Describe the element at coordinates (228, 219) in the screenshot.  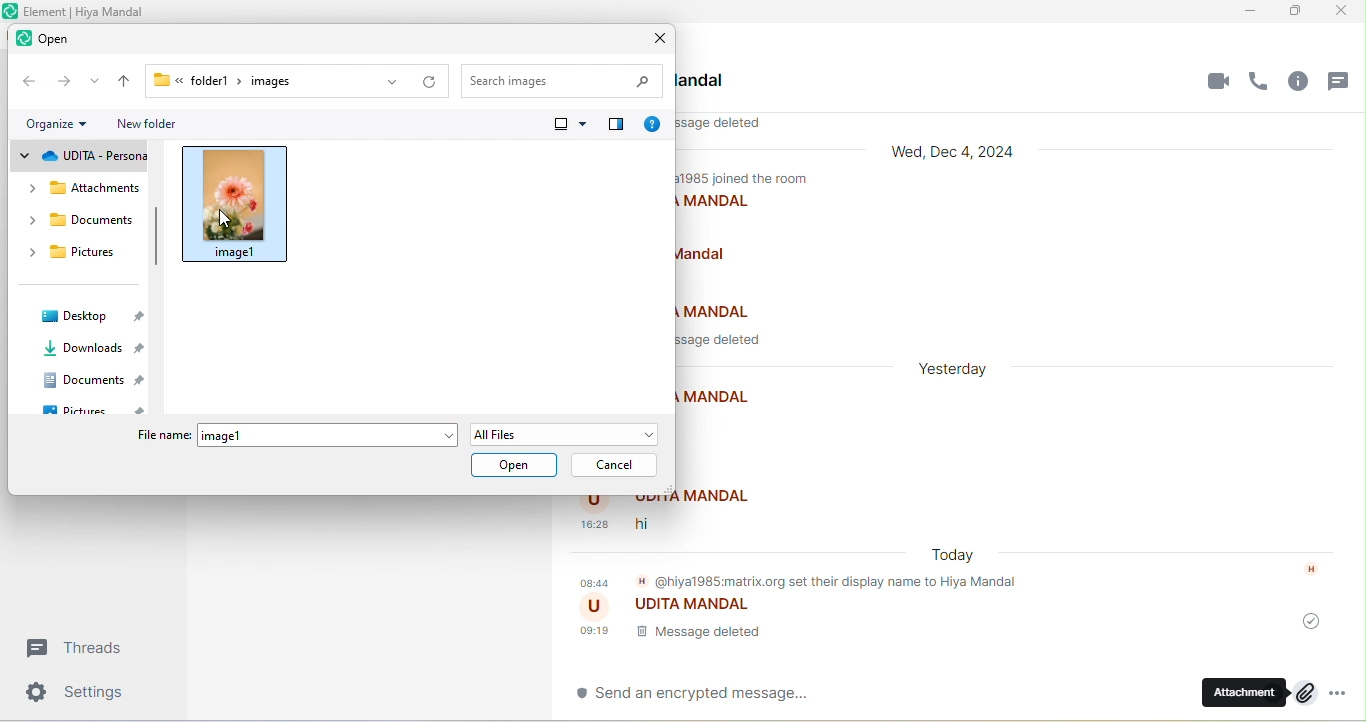
I see `cursor` at that location.